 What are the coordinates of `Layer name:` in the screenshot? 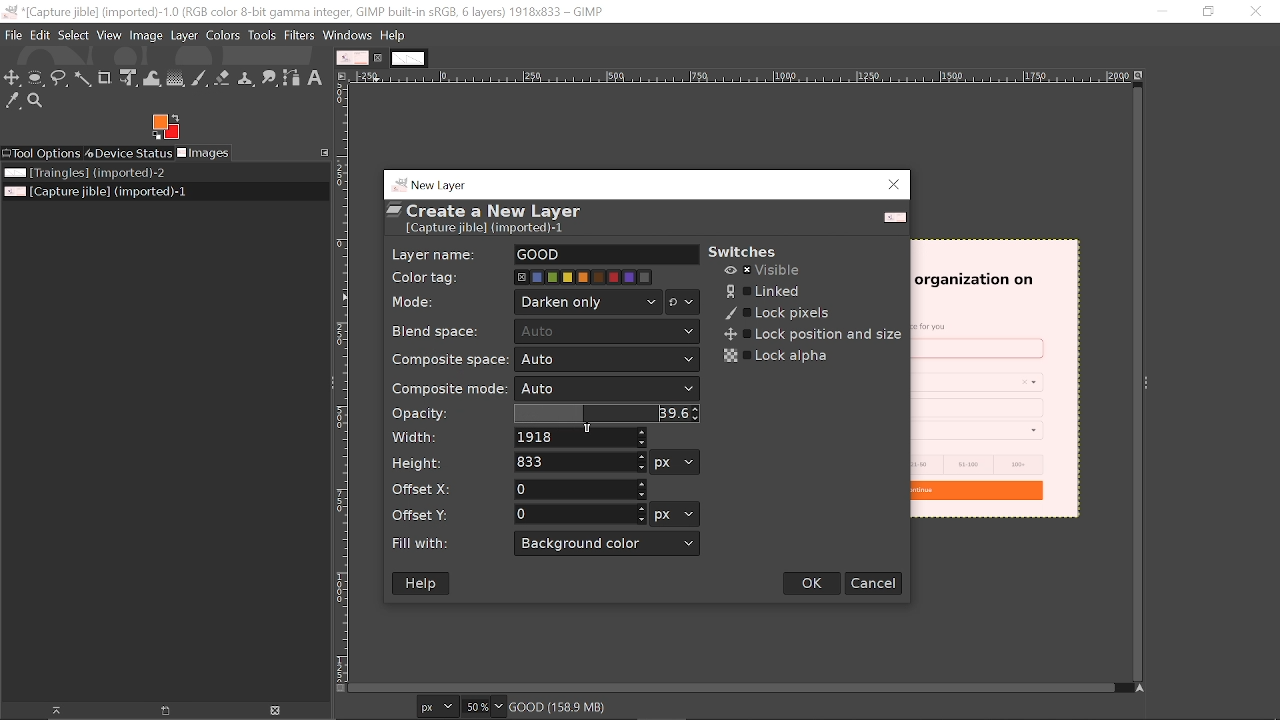 It's located at (435, 253).